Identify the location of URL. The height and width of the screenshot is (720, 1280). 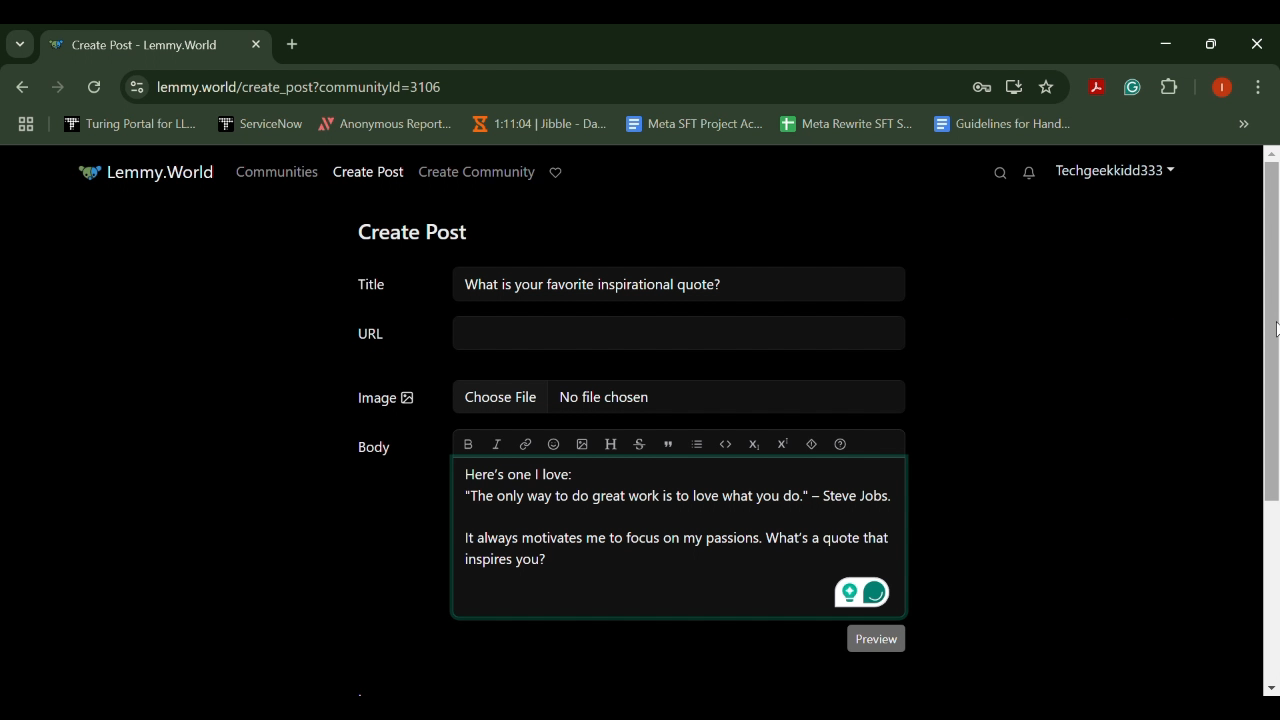
(630, 334).